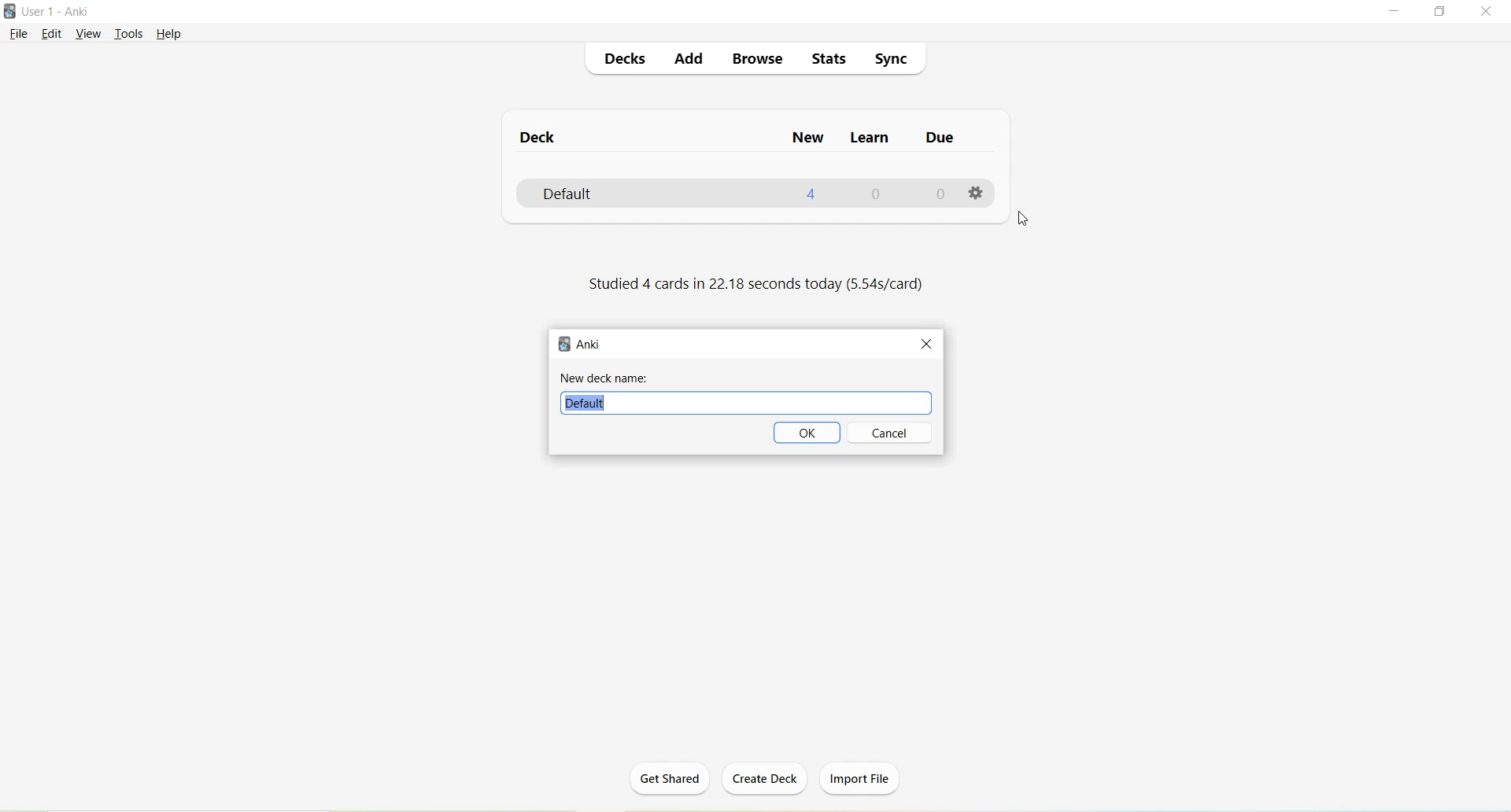 Image resolution: width=1511 pixels, height=812 pixels. Describe the element at coordinates (538, 140) in the screenshot. I see `Deck` at that location.